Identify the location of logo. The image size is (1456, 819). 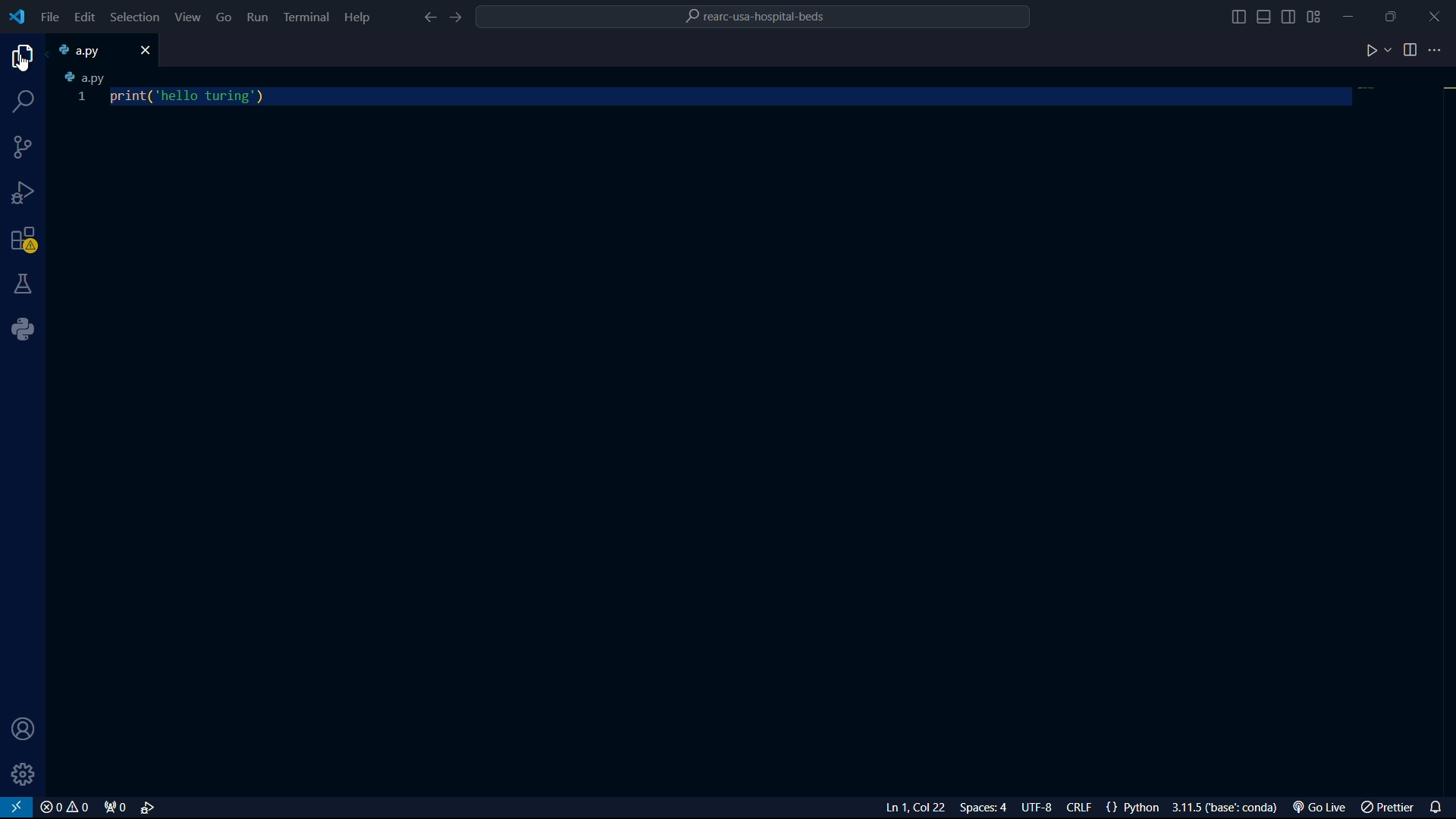
(17, 17).